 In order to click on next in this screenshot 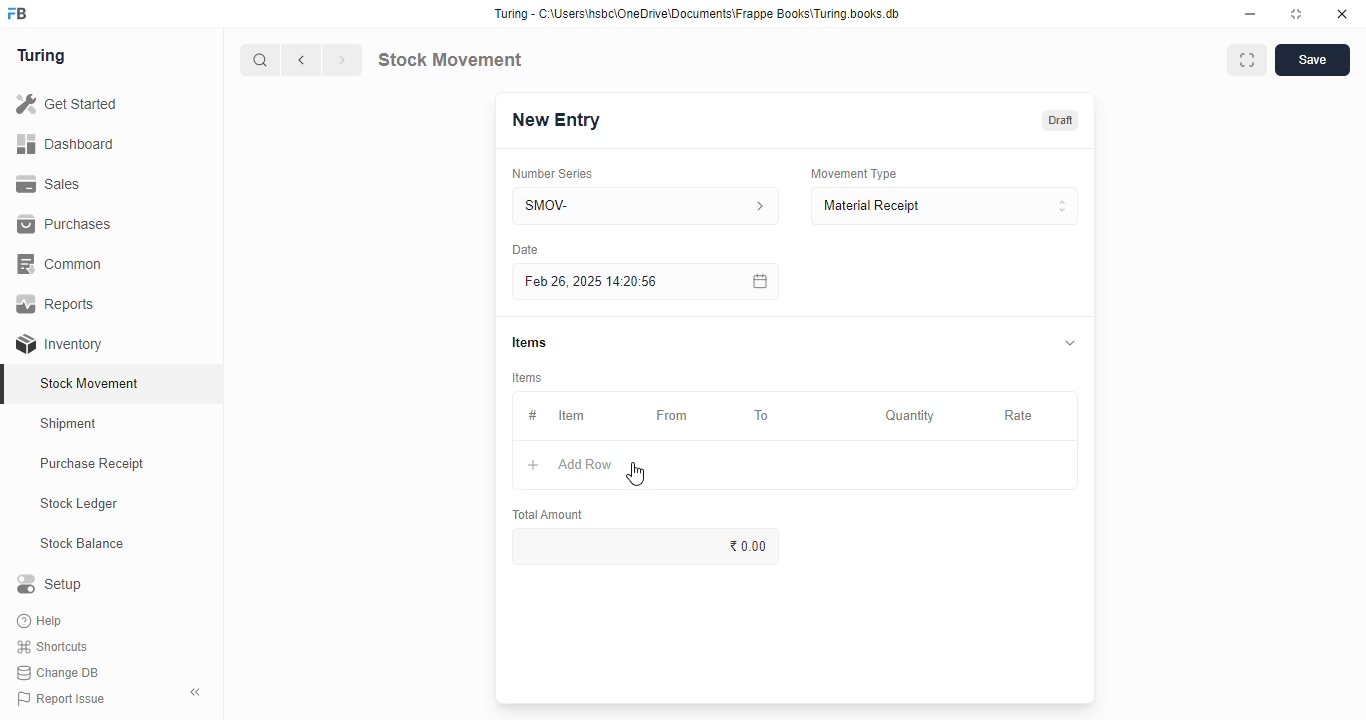, I will do `click(342, 60)`.